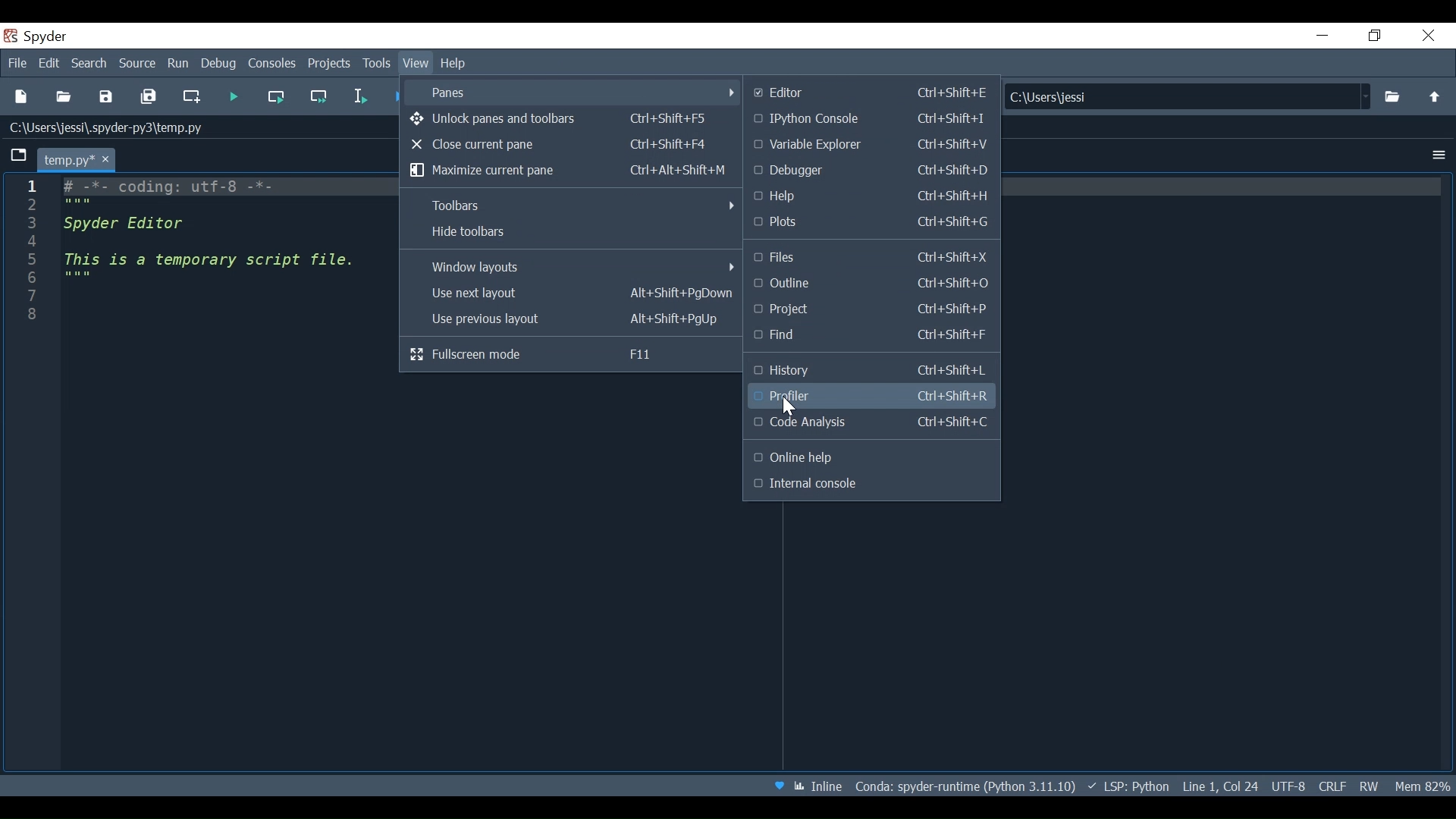 This screenshot has width=1456, height=819. What do you see at coordinates (1427, 35) in the screenshot?
I see `Close` at bounding box center [1427, 35].